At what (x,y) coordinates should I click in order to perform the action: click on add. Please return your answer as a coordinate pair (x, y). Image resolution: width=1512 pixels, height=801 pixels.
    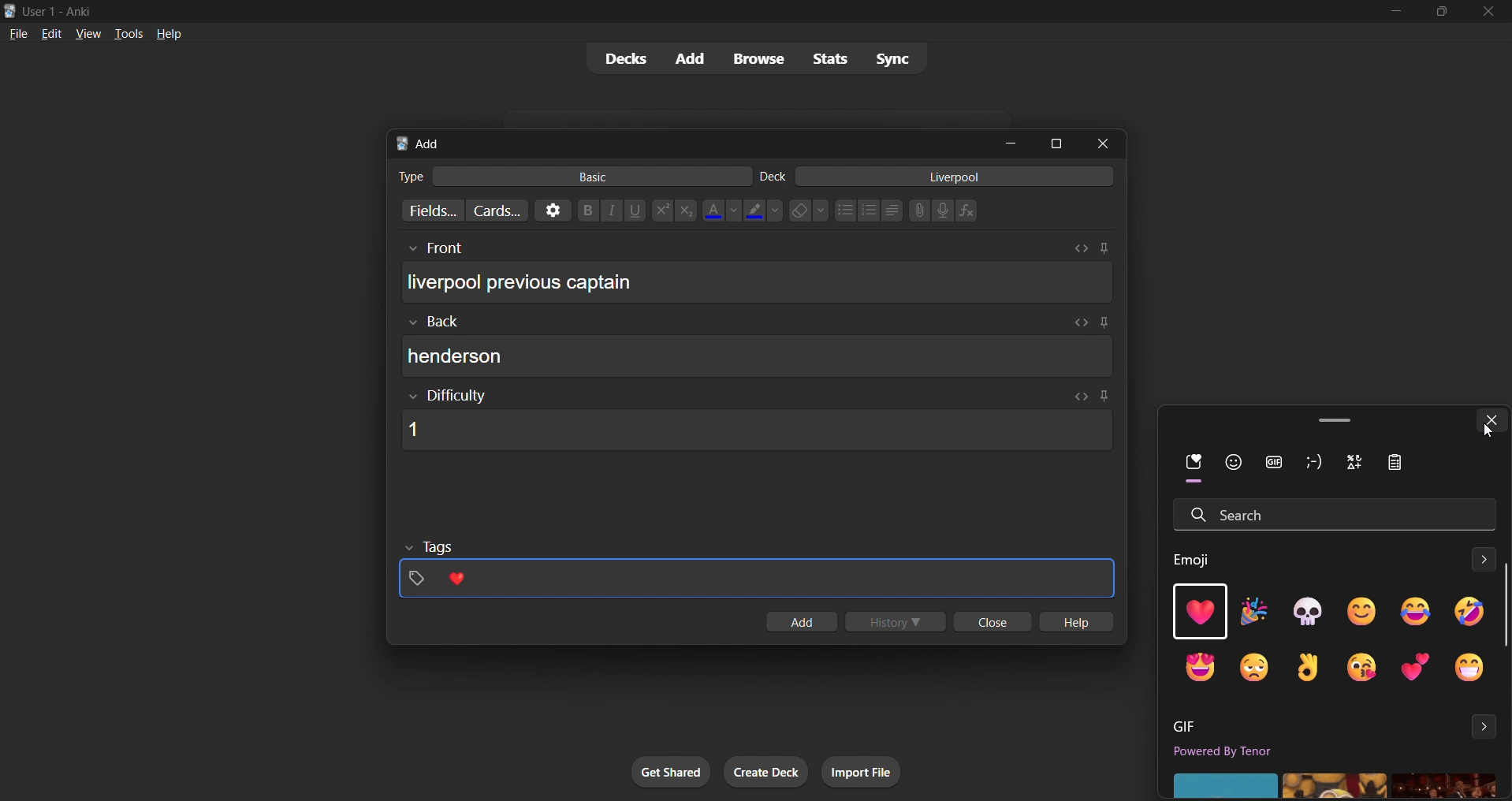
    Looking at the image, I should click on (687, 58).